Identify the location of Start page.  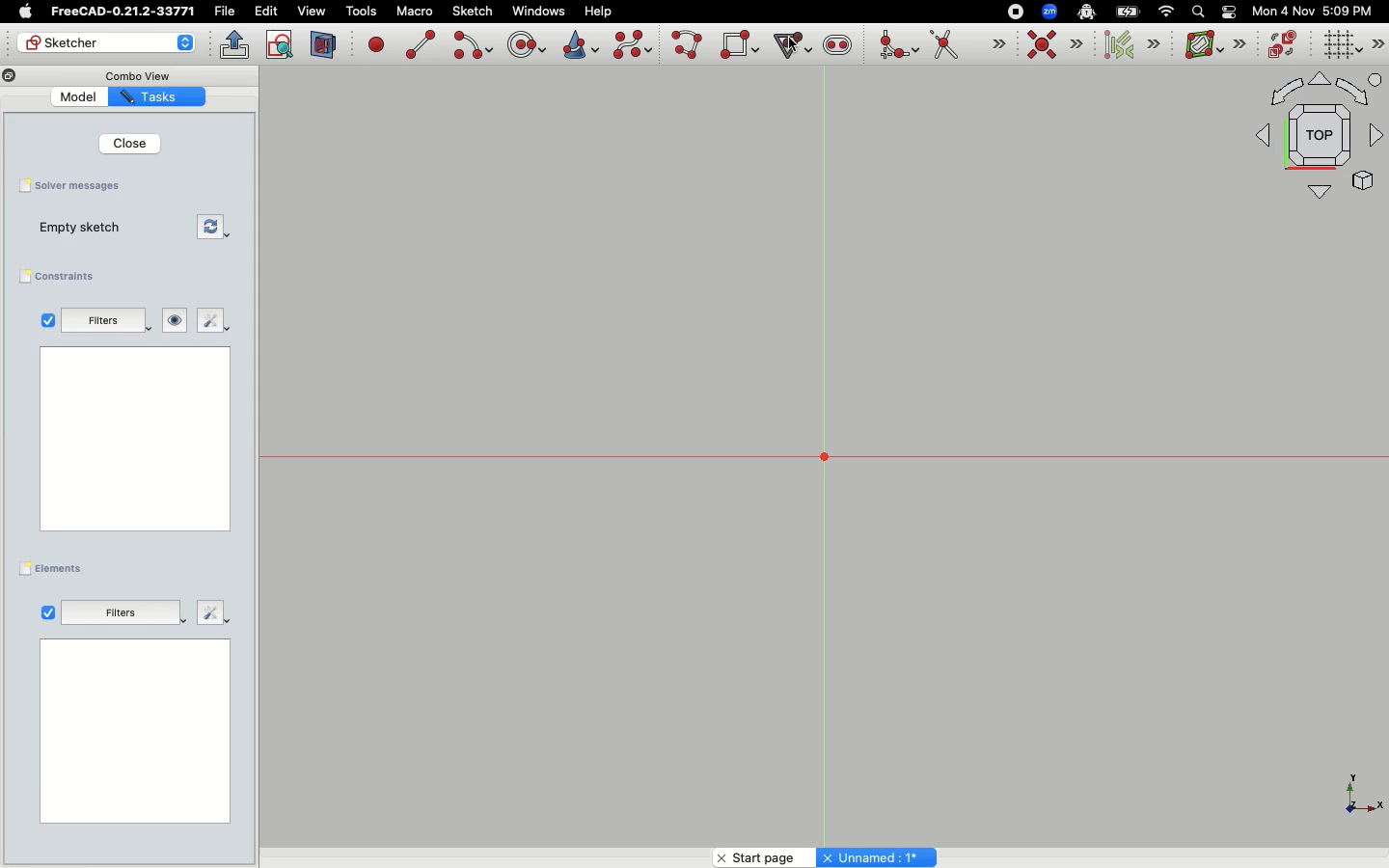
(754, 856).